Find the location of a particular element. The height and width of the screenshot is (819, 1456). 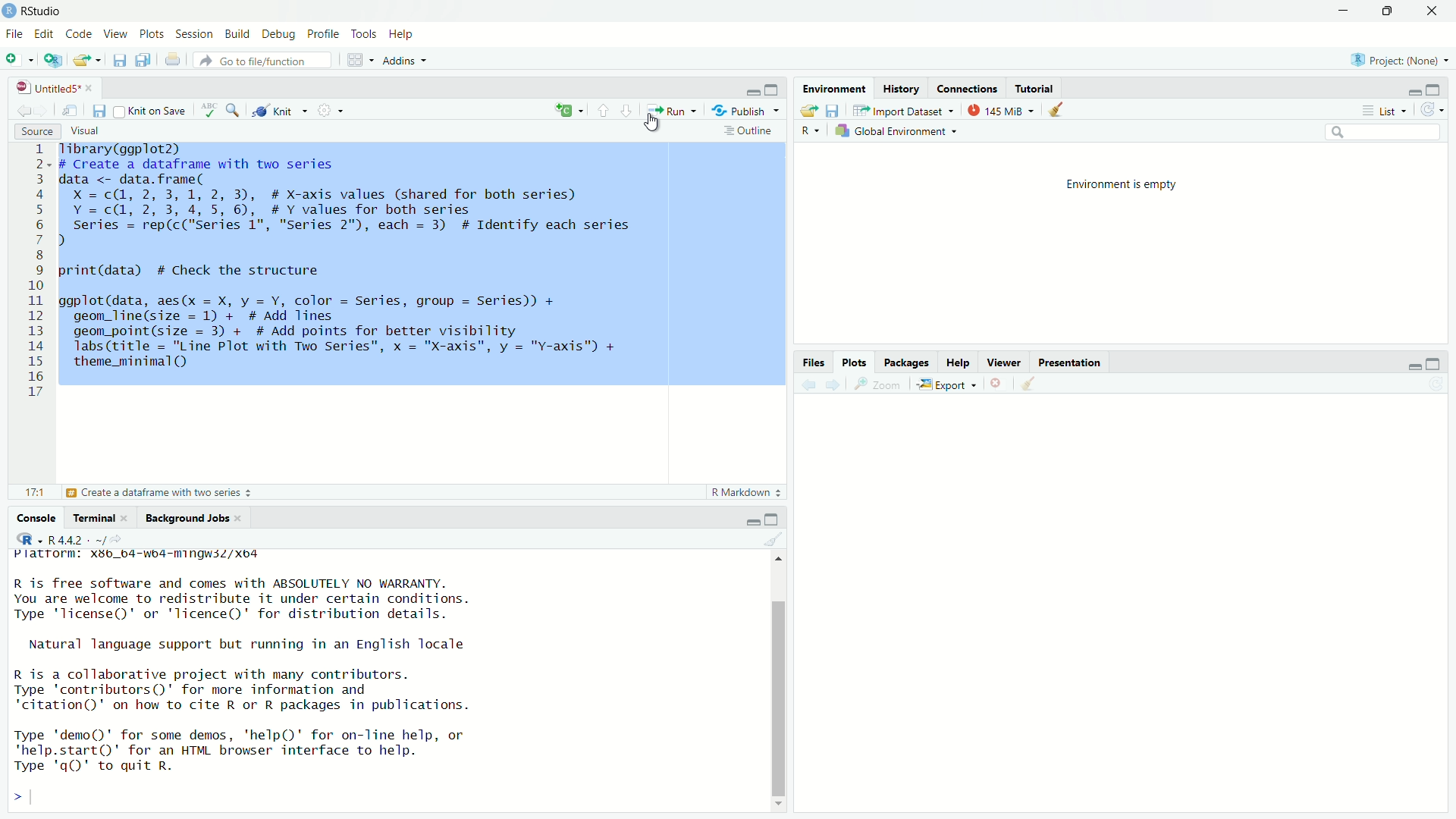

Global Enviornment is located at coordinates (897, 133).